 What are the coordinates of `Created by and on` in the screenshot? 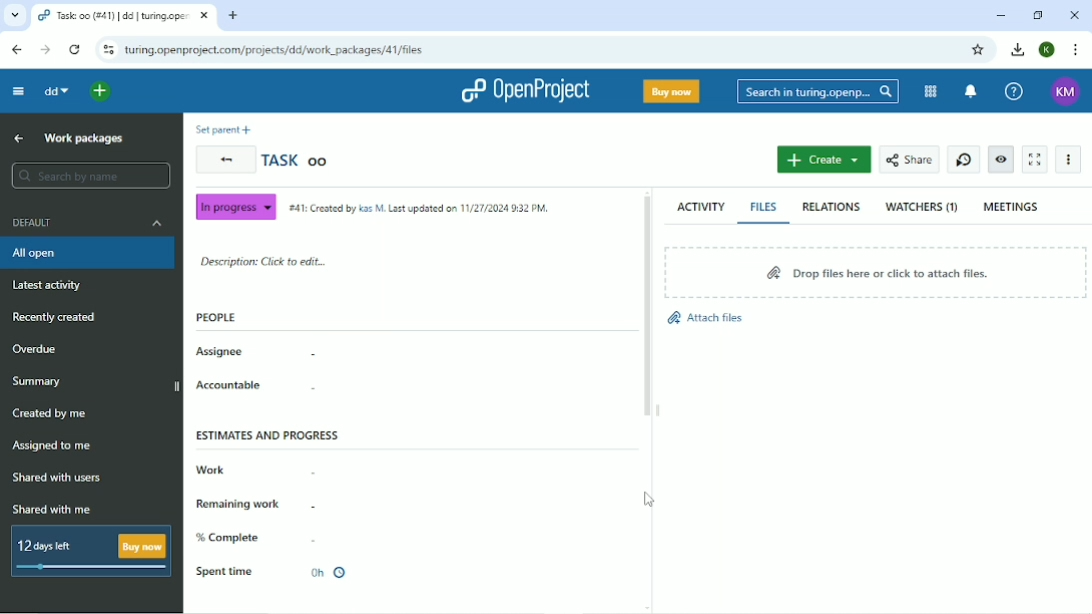 It's located at (419, 207).